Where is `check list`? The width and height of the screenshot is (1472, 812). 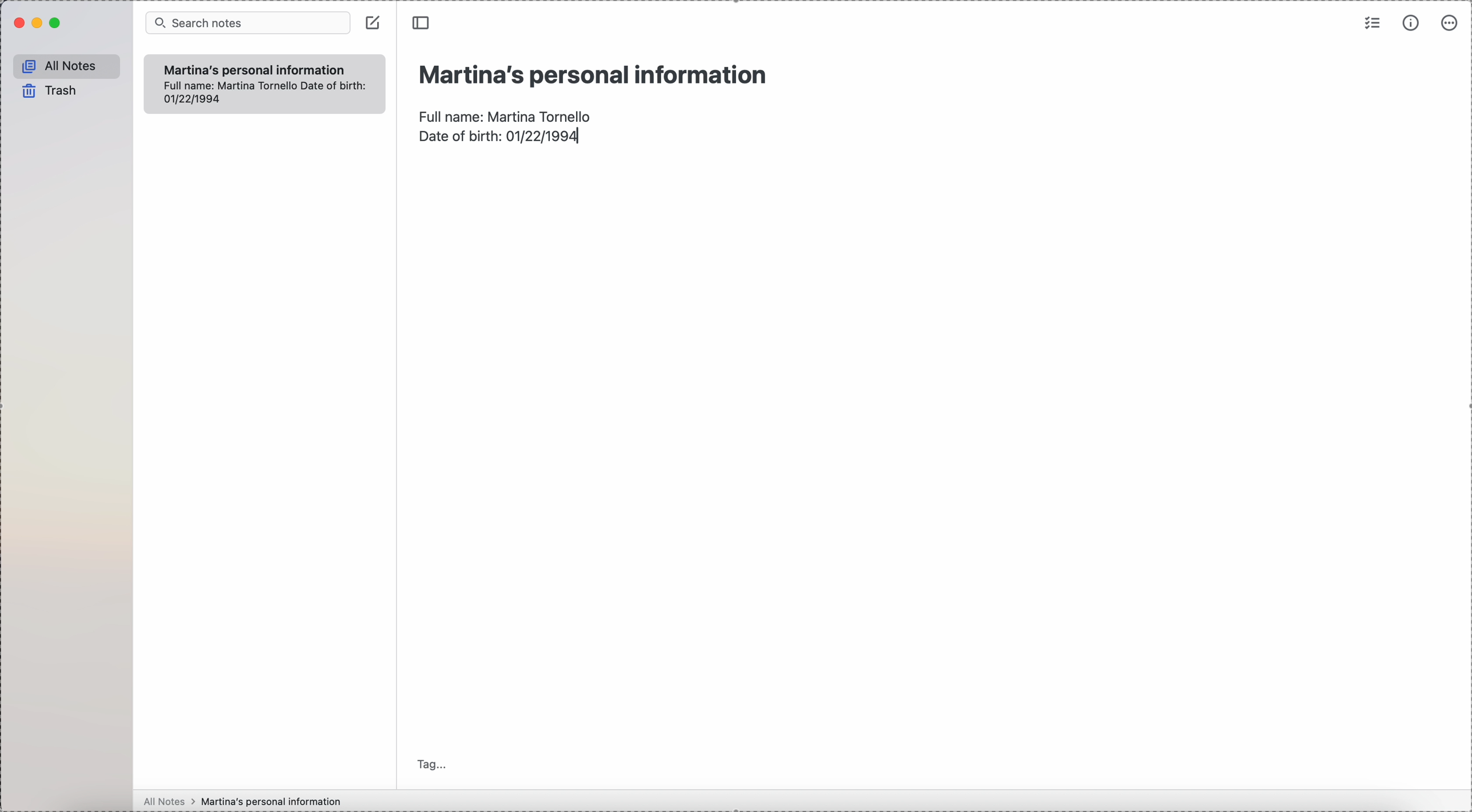
check list is located at coordinates (1371, 25).